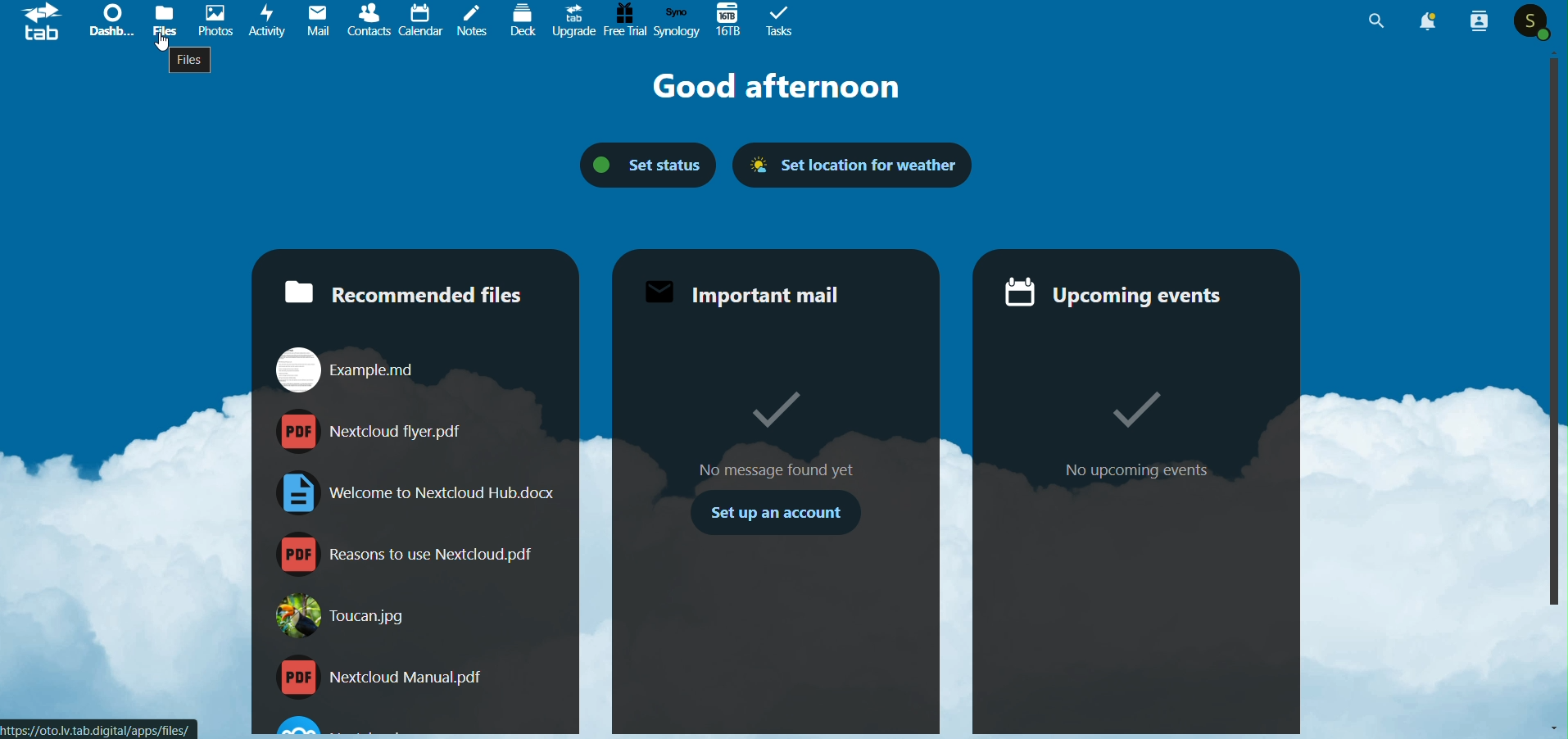 The height and width of the screenshot is (739, 1568). Describe the element at coordinates (424, 20) in the screenshot. I see `Calendar` at that location.